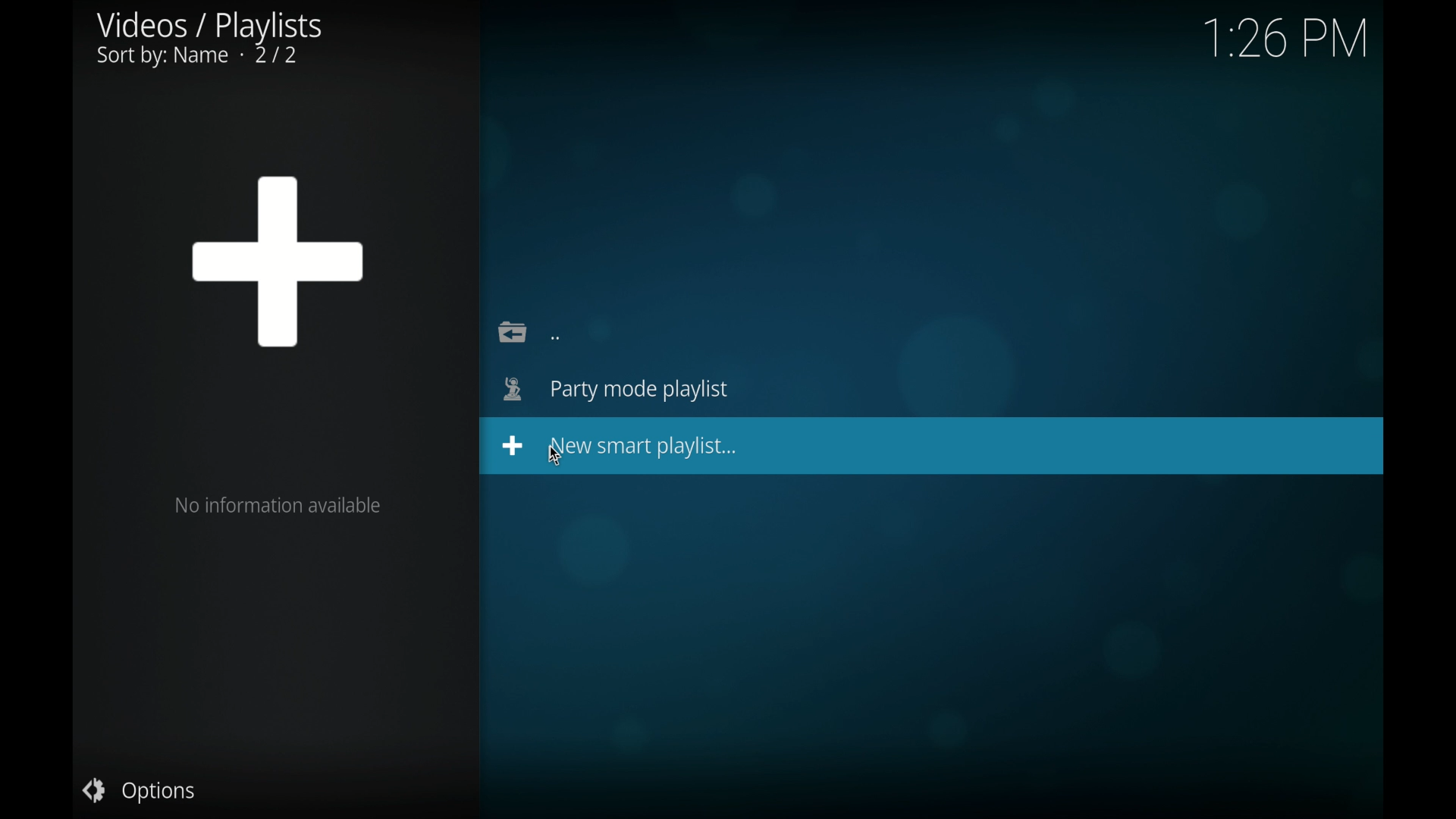 The width and height of the screenshot is (1456, 819). What do you see at coordinates (616, 390) in the screenshot?
I see `party mode playlist` at bounding box center [616, 390].